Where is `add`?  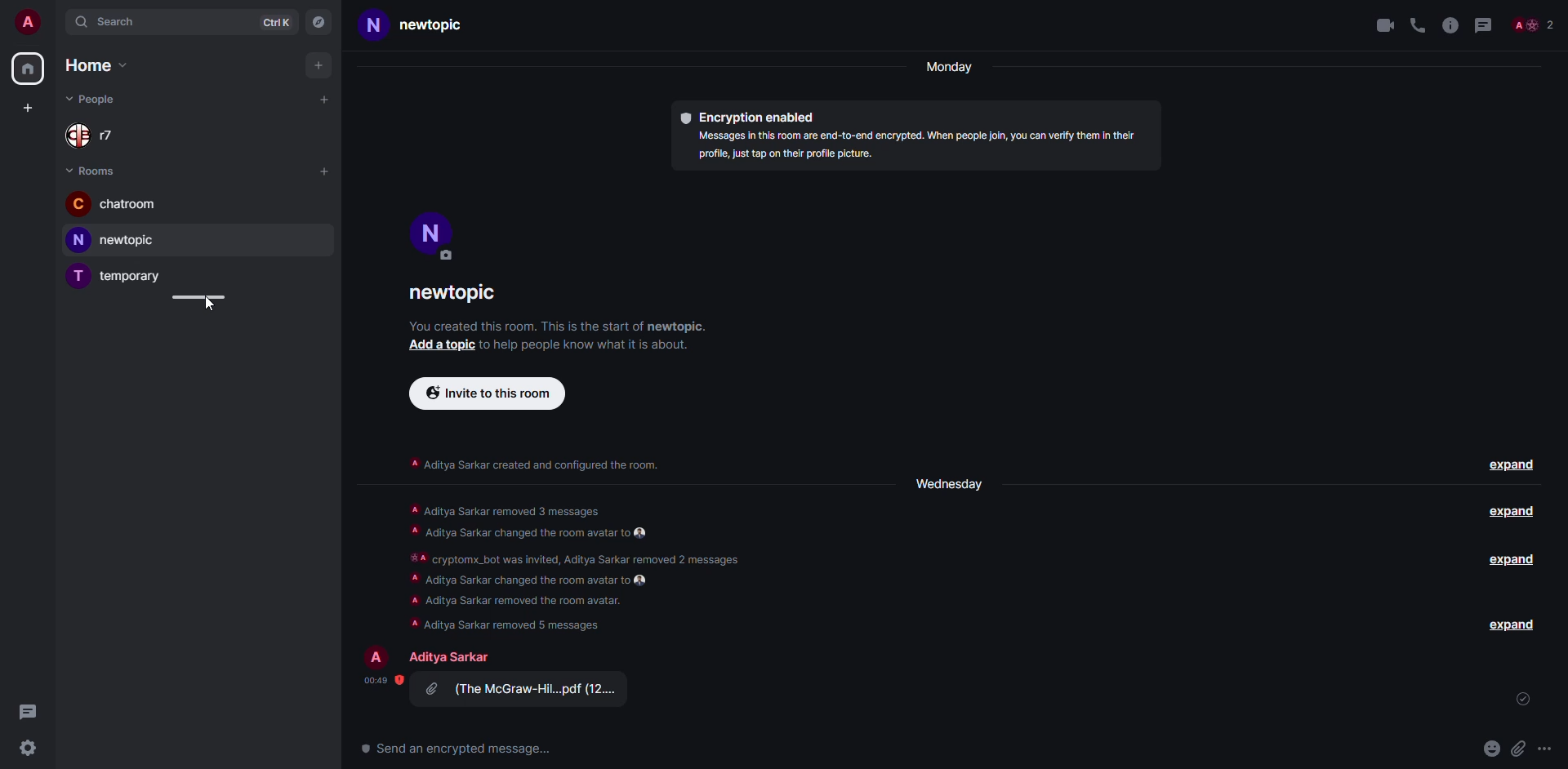
add is located at coordinates (326, 171).